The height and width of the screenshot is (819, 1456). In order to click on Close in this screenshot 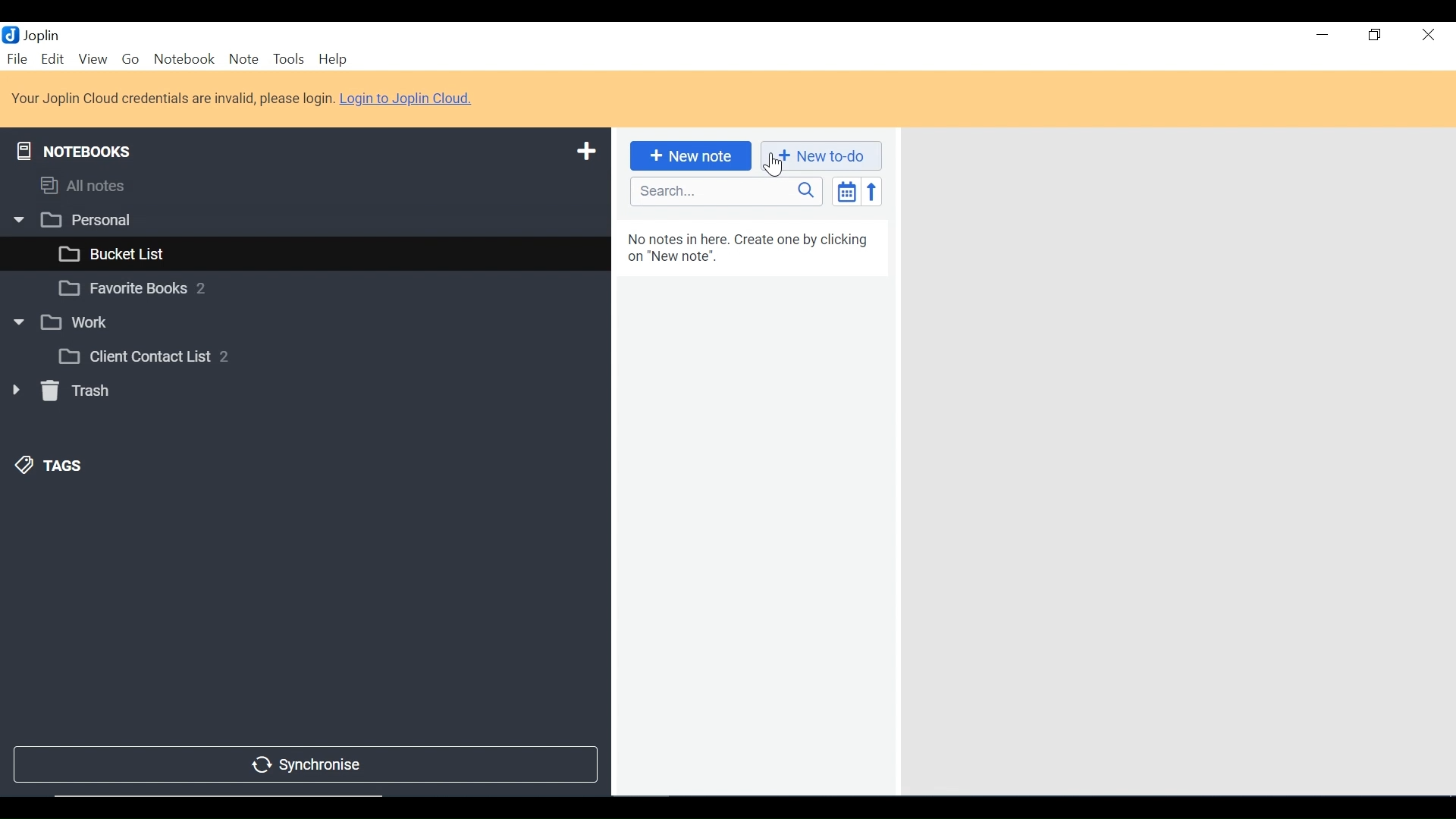, I will do `click(1426, 37)`.